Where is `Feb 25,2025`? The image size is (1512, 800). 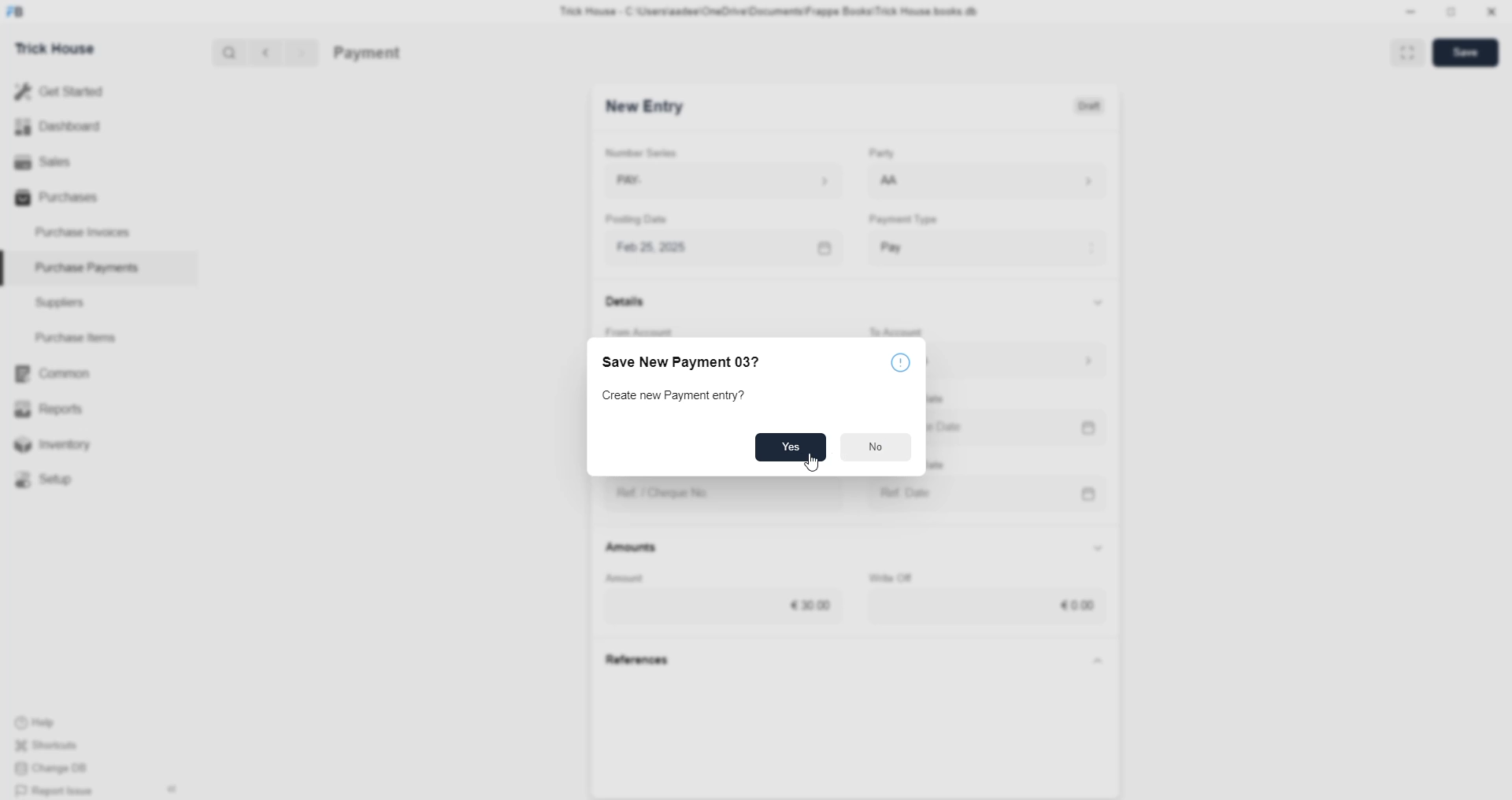 Feb 25,2025 is located at coordinates (668, 247).